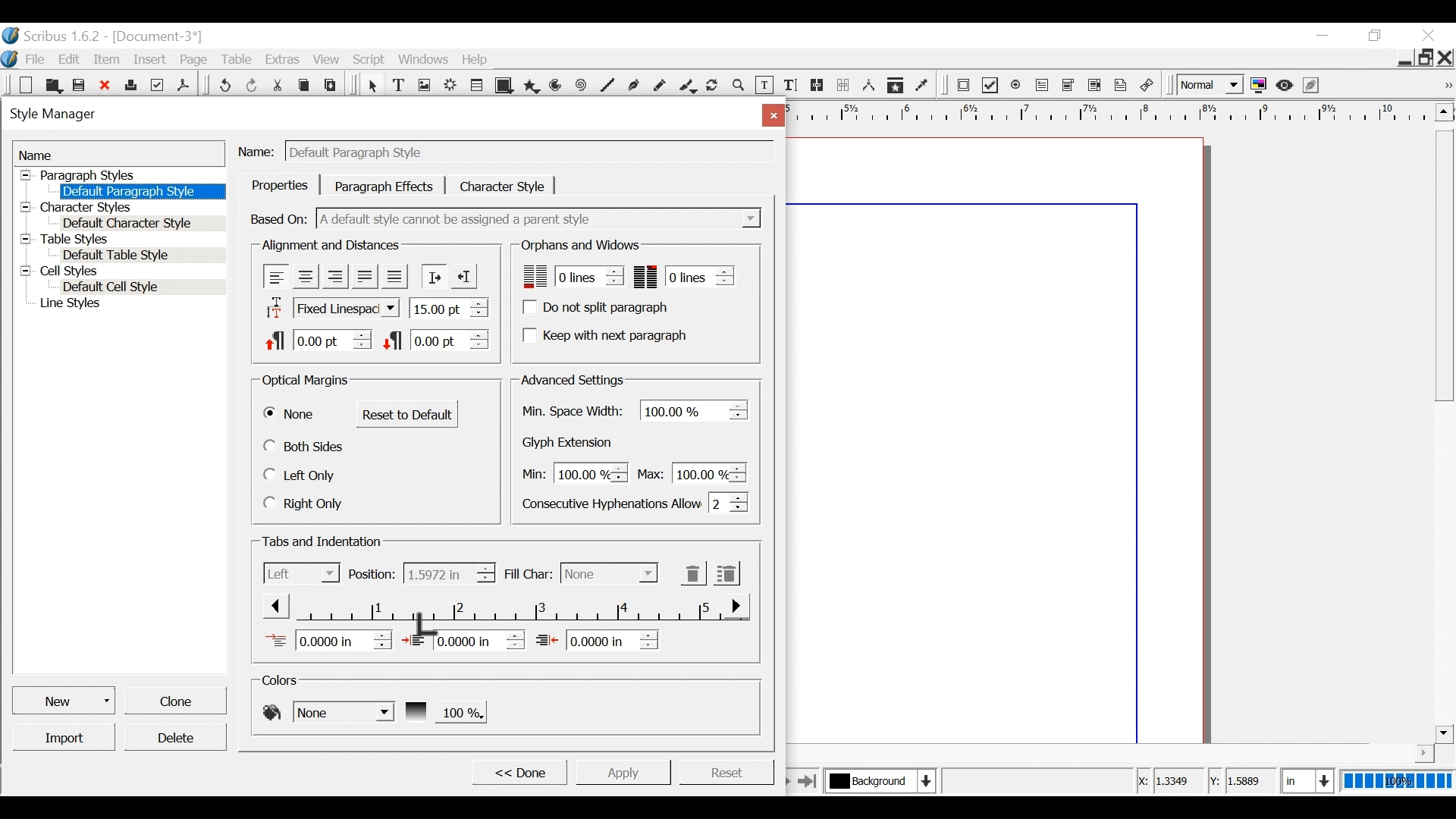  Describe the element at coordinates (877, 780) in the screenshot. I see `Select the current layer` at that location.